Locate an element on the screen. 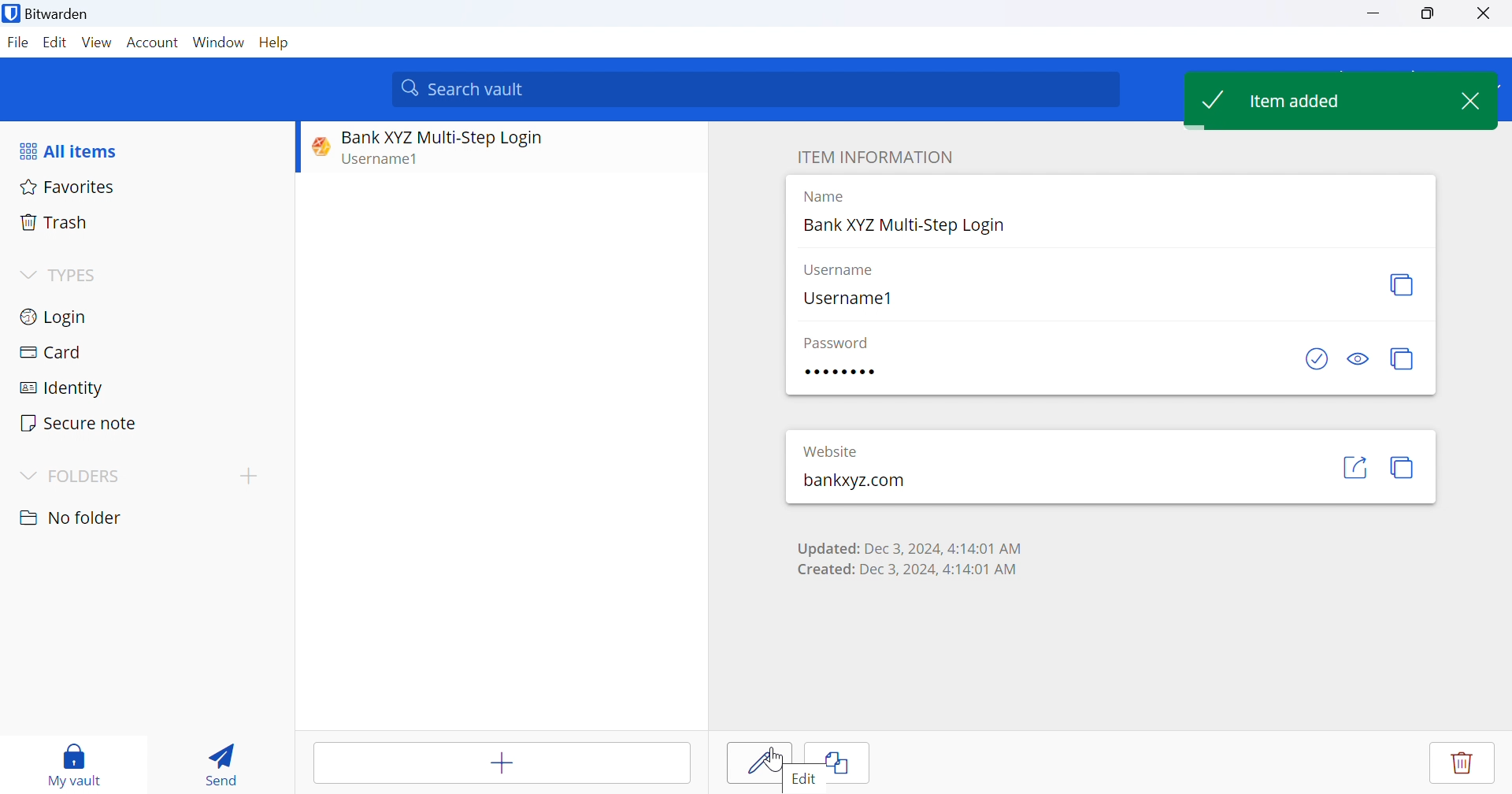 The width and height of the screenshot is (1512, 794). my vault is located at coordinates (79, 764).